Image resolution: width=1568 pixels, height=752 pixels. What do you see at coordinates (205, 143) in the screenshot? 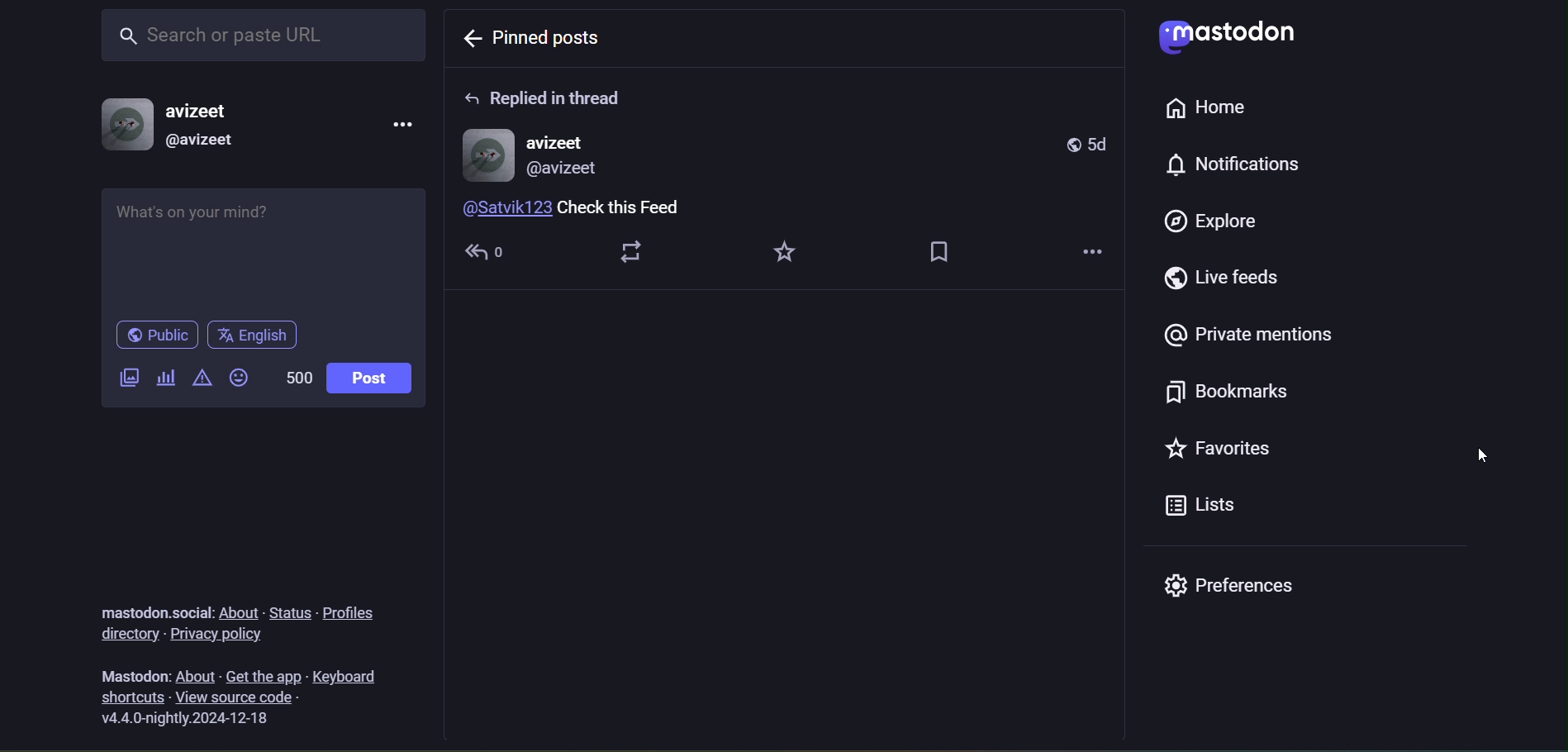
I see `@username` at bounding box center [205, 143].